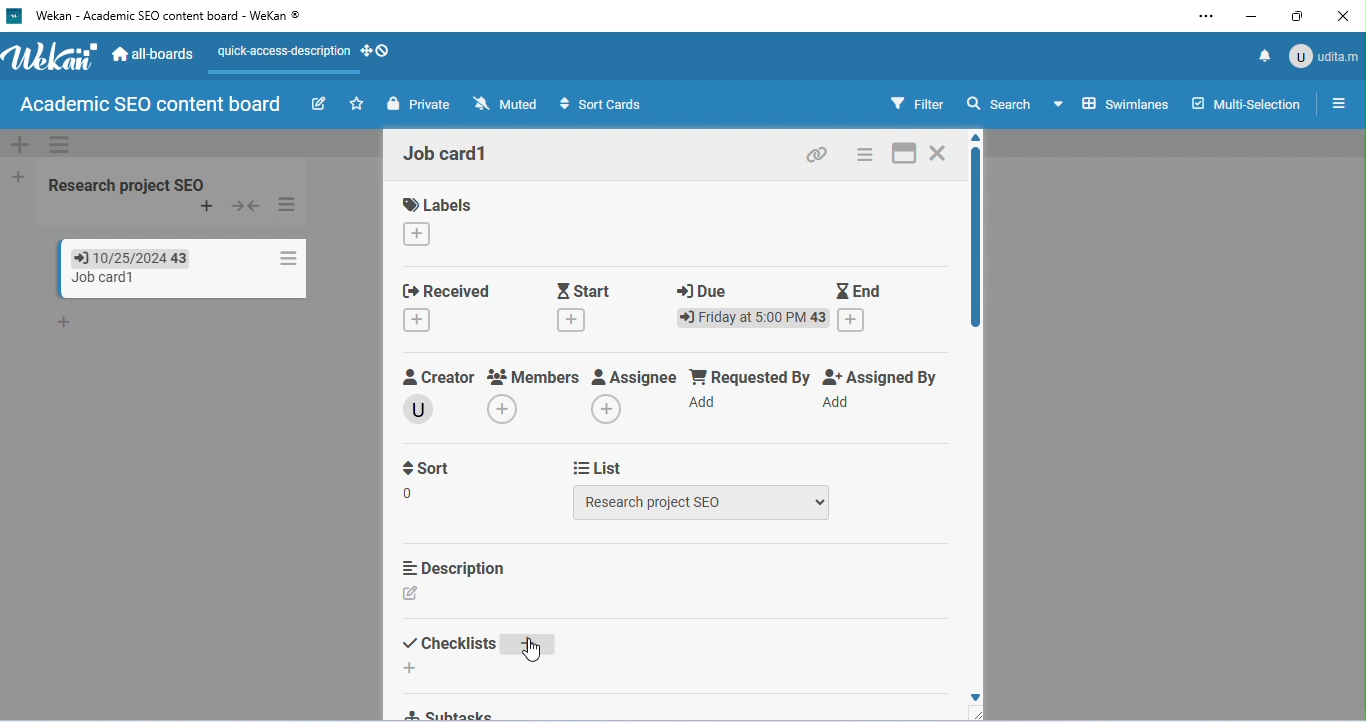  Describe the element at coordinates (356, 104) in the screenshot. I see `click to star this board` at that location.